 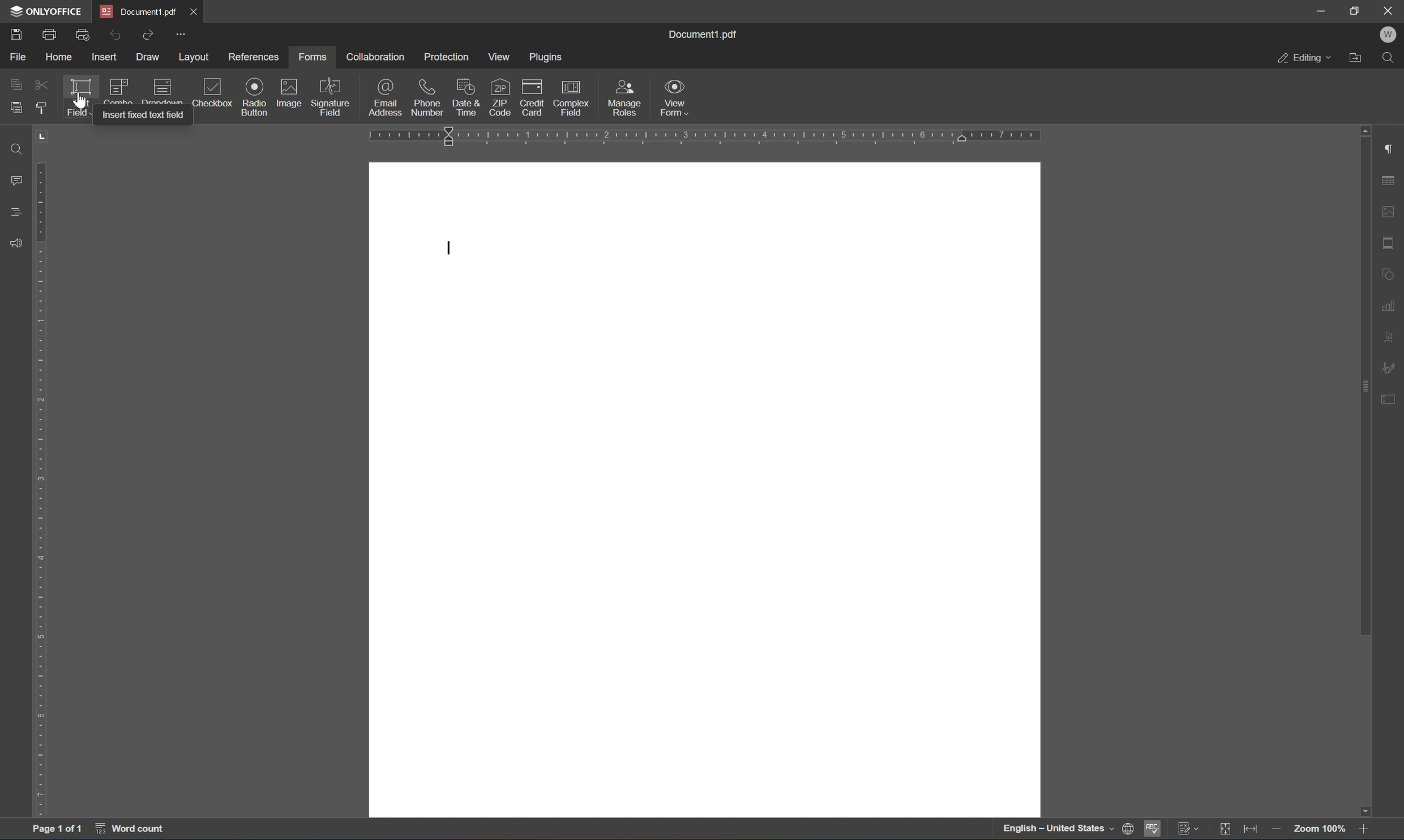 I want to click on english - united states, so click(x=1055, y=829).